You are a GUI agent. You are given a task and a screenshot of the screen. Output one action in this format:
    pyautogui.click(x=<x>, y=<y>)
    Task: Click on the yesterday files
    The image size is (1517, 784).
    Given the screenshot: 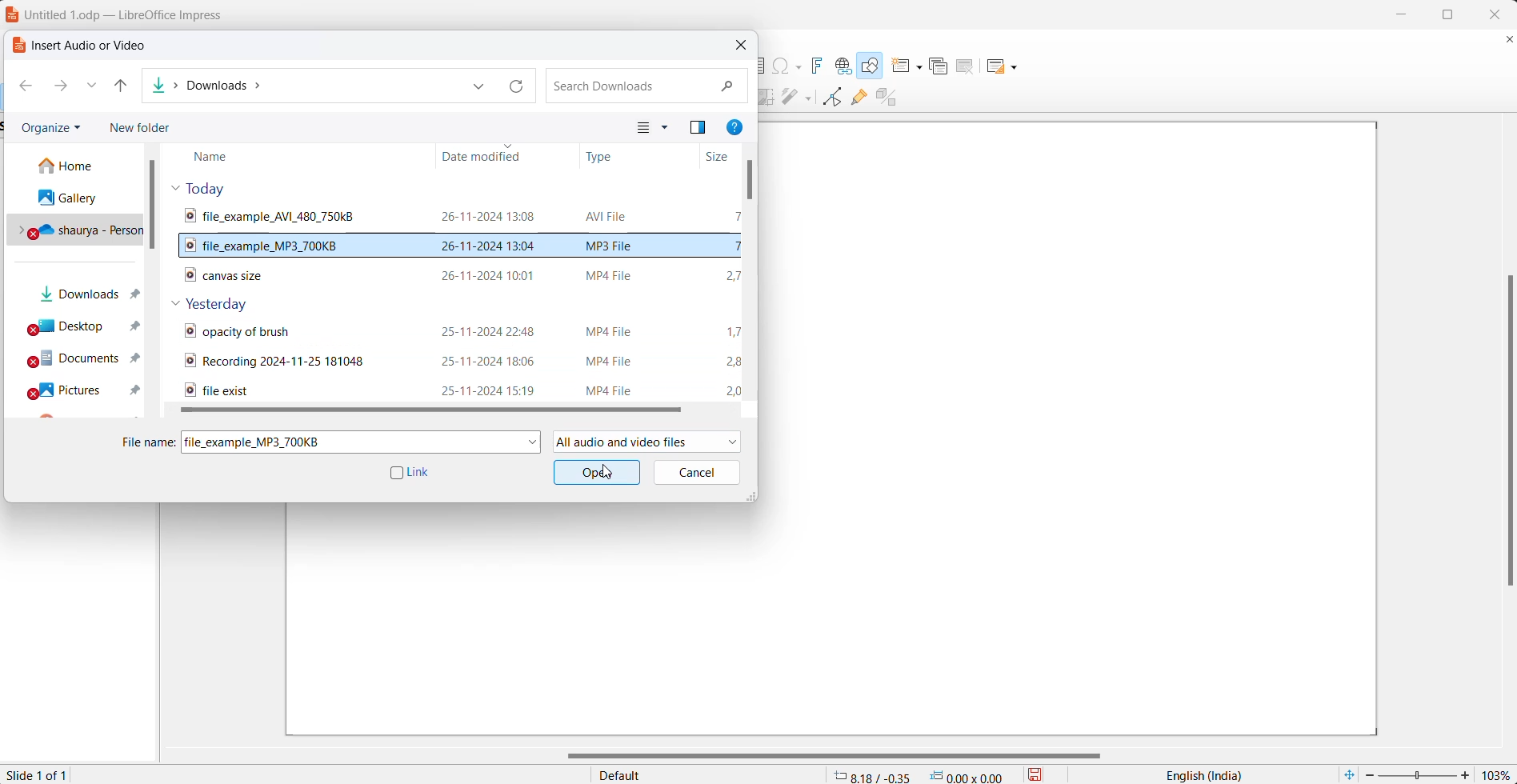 What is the action you would take?
    pyautogui.click(x=225, y=302)
    